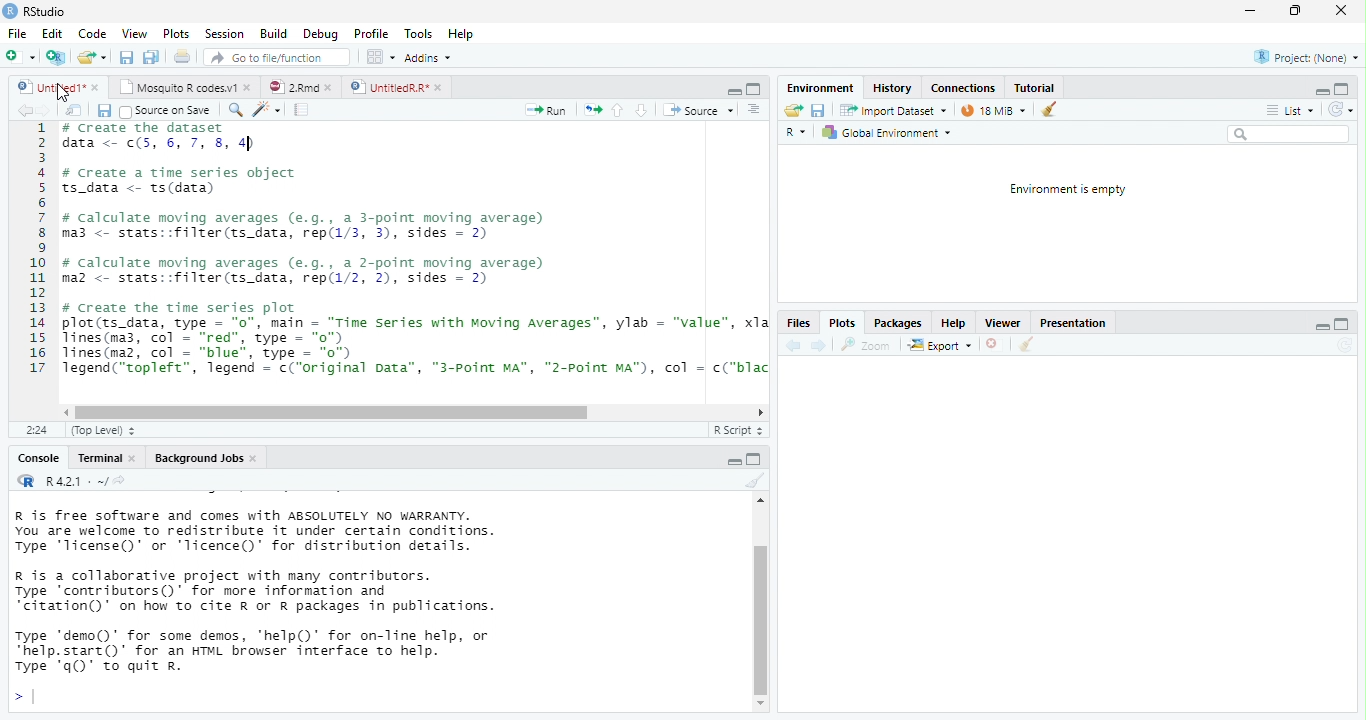  Describe the element at coordinates (892, 87) in the screenshot. I see `History` at that location.